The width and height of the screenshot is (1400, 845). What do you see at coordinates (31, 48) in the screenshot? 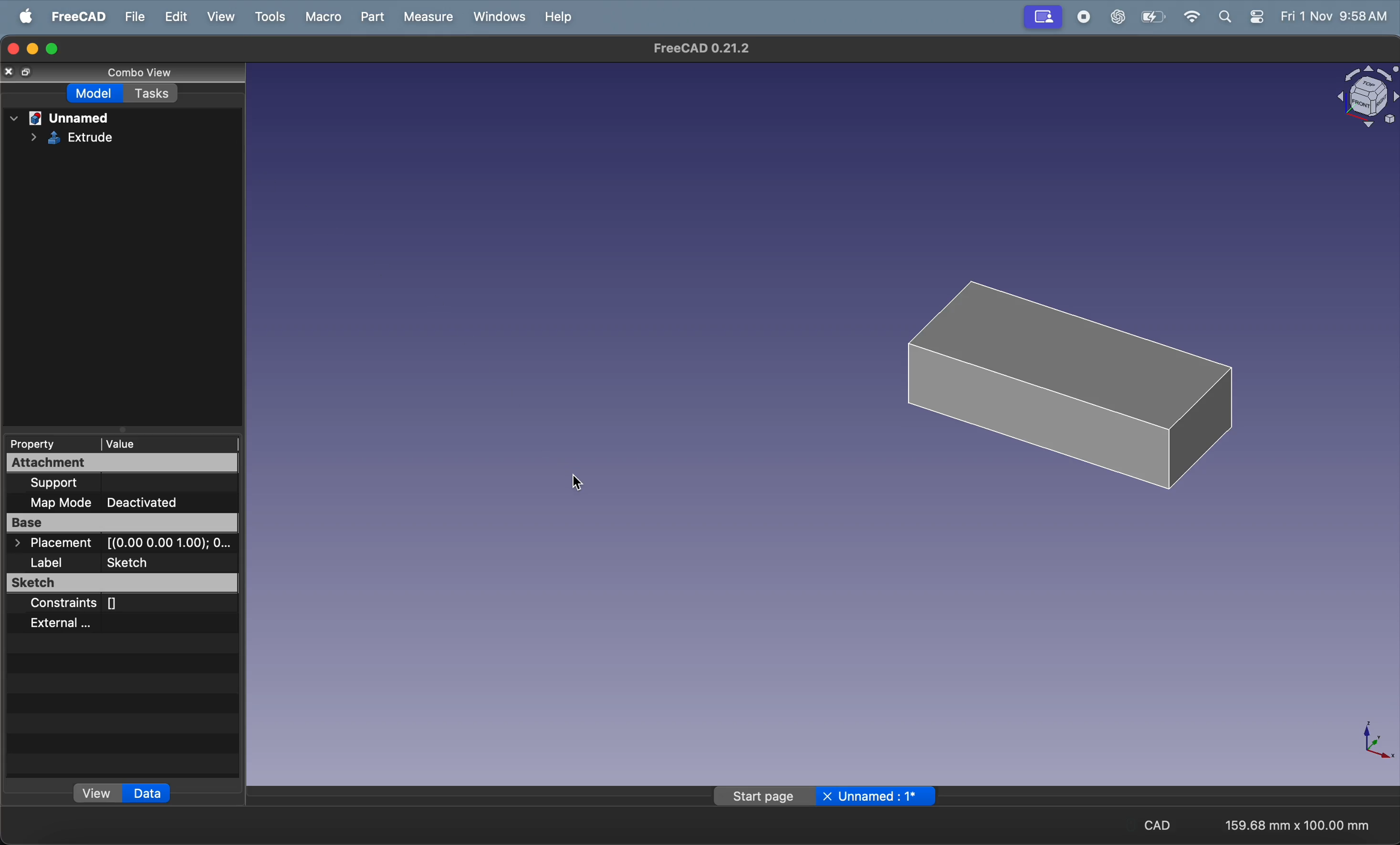
I see `minimize` at bounding box center [31, 48].